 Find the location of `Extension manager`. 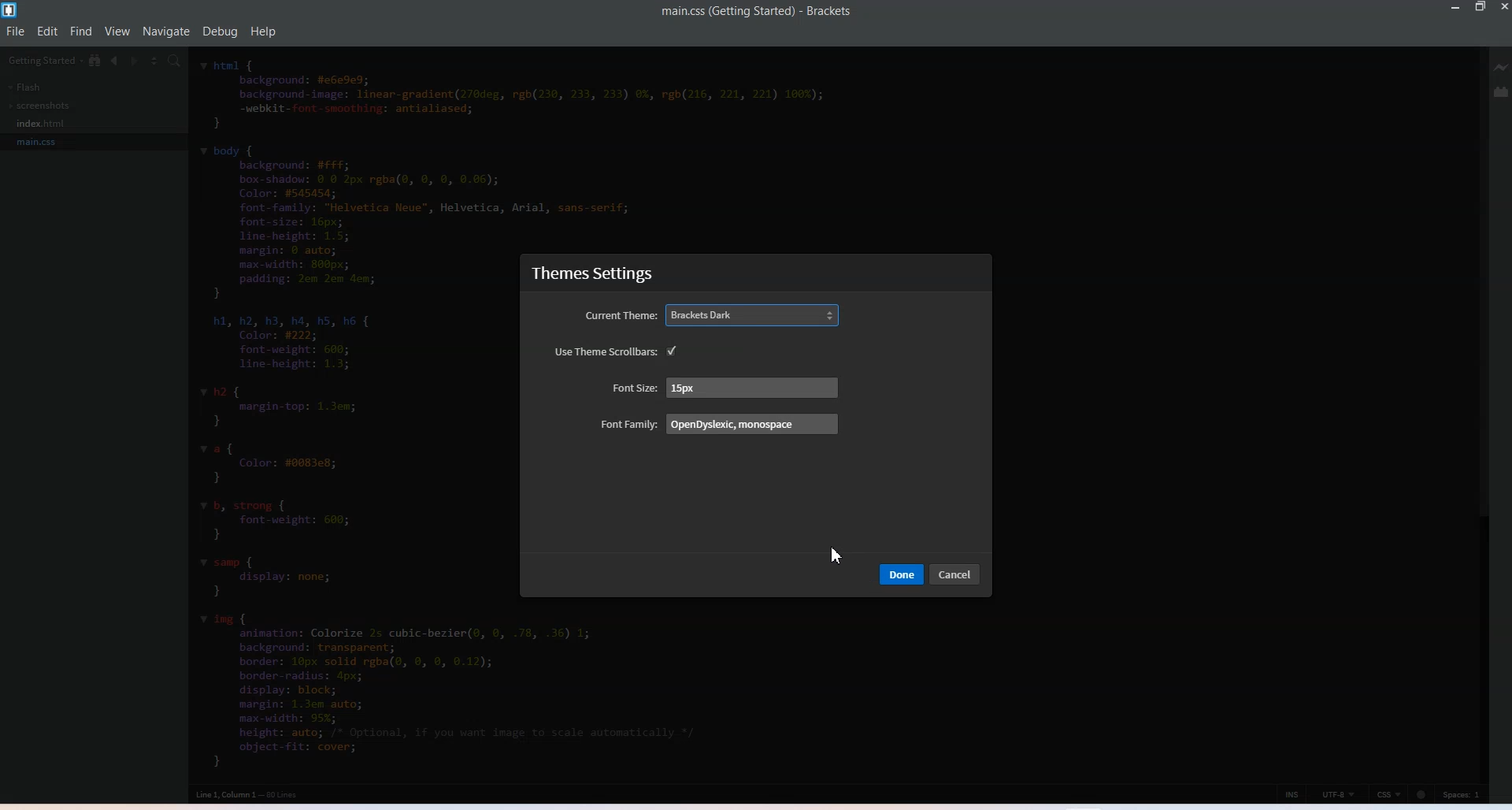

Extension manager is located at coordinates (1503, 91).